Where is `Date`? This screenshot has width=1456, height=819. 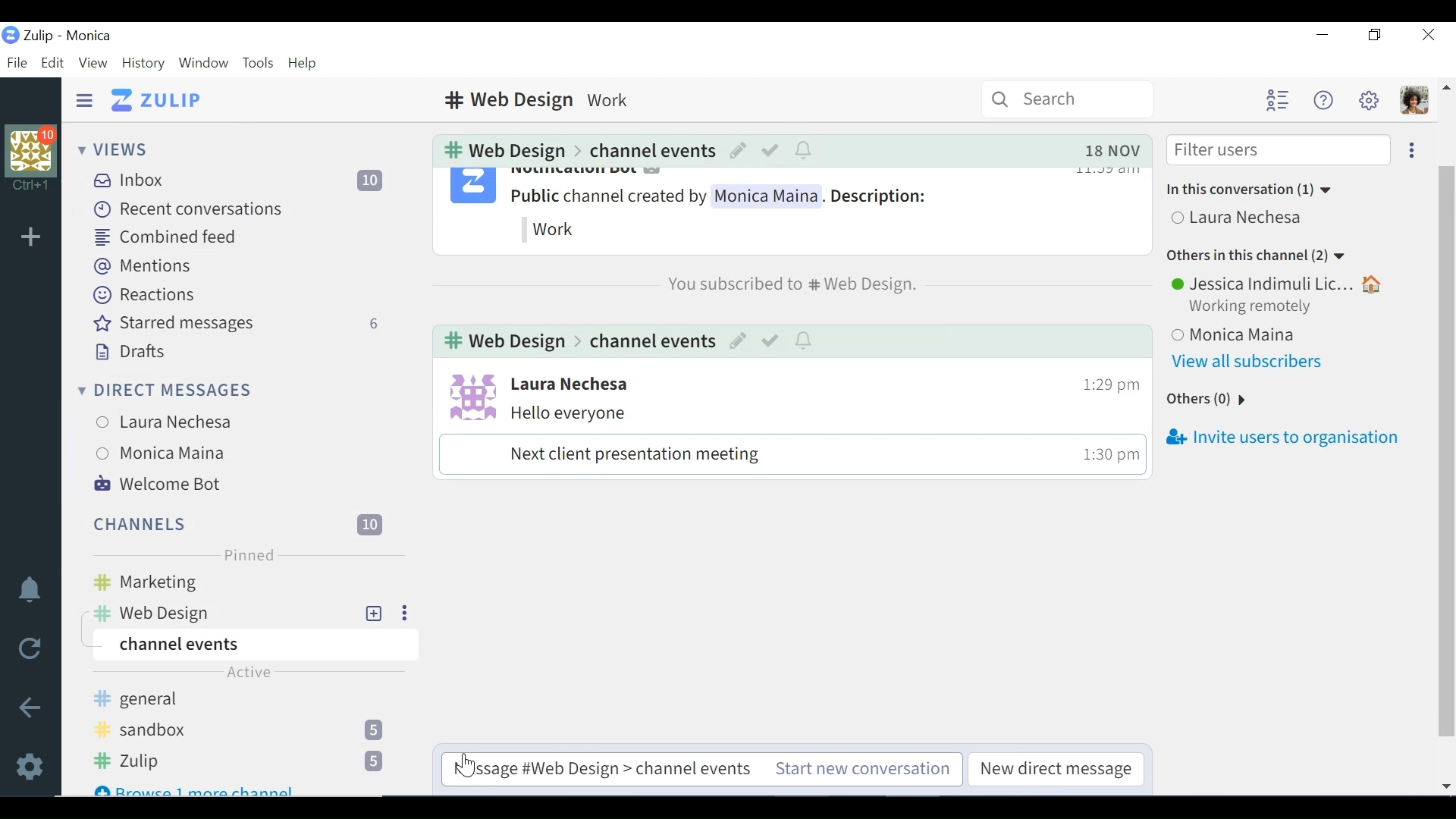 Date is located at coordinates (1112, 150).